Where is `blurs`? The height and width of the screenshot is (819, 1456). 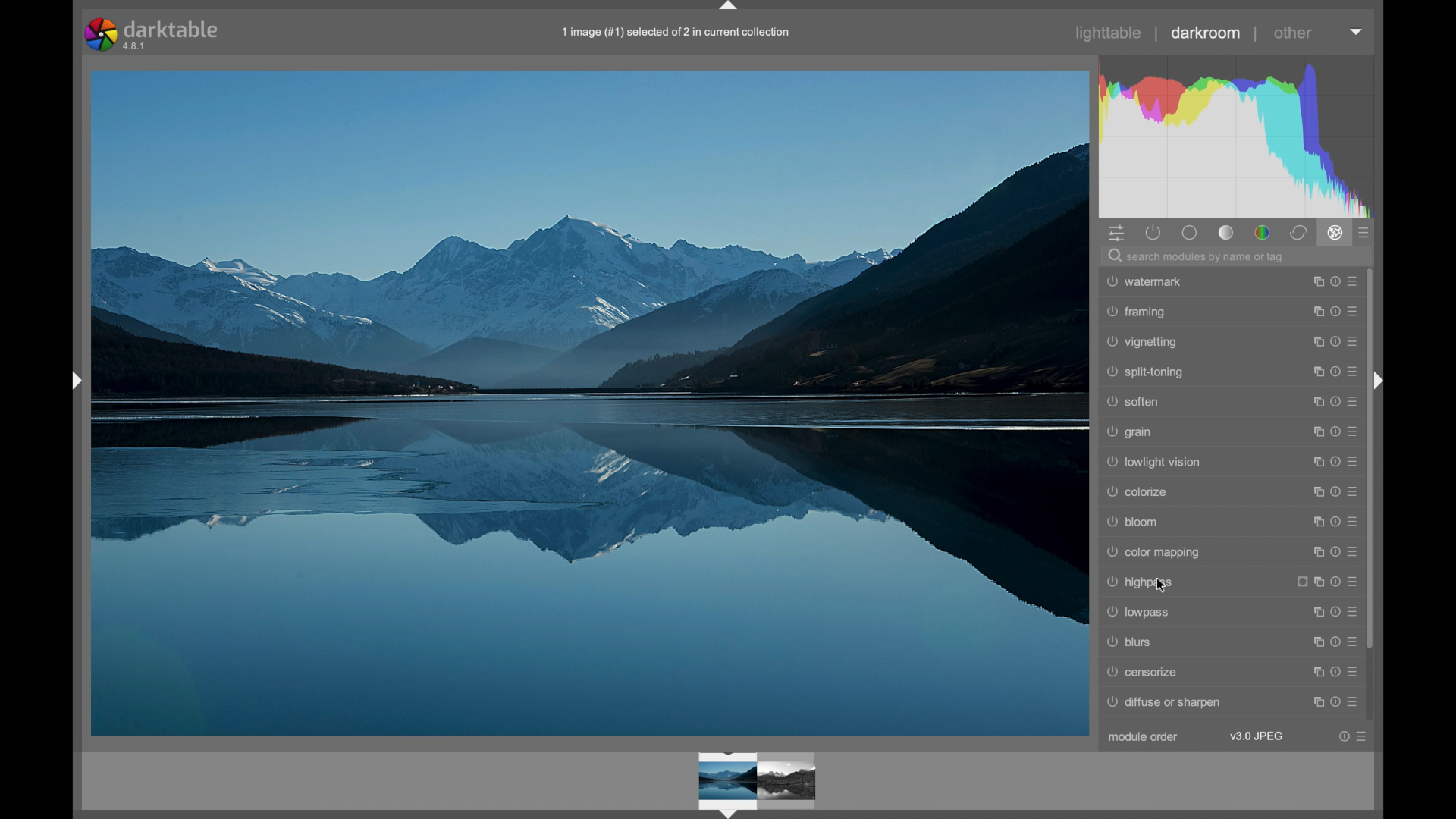
blurs is located at coordinates (1130, 642).